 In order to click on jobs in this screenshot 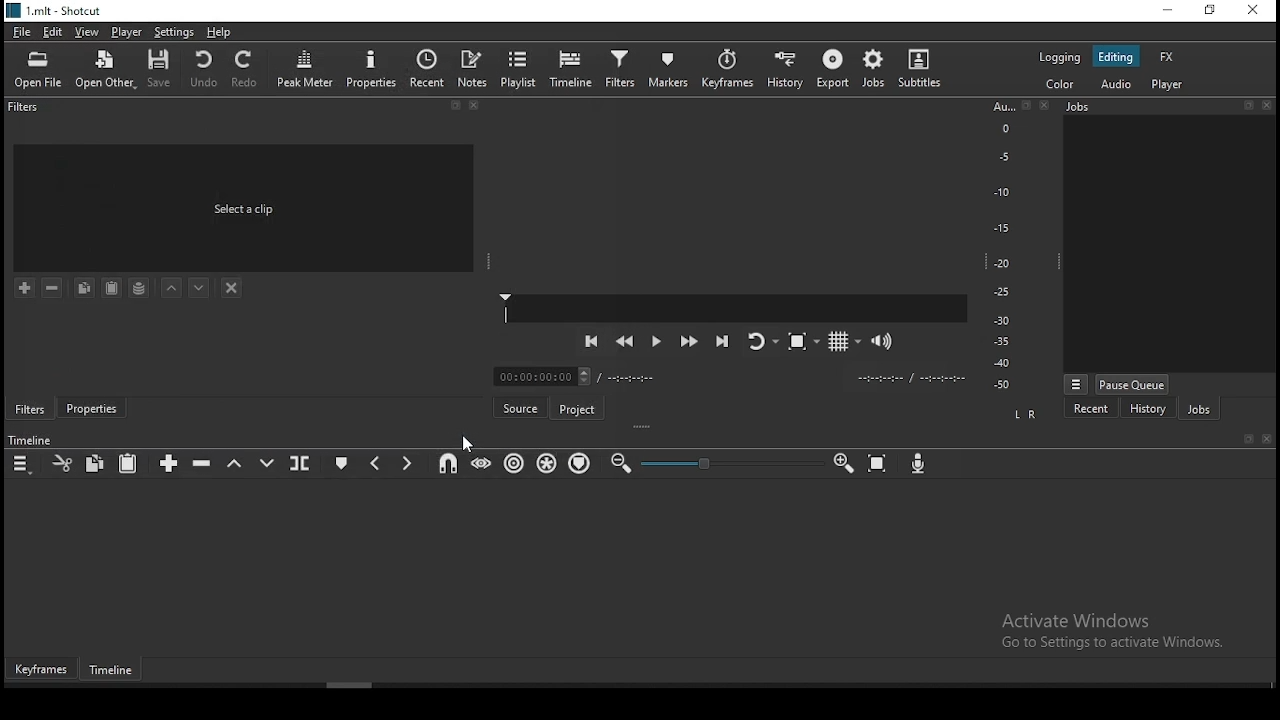, I will do `click(1198, 408)`.